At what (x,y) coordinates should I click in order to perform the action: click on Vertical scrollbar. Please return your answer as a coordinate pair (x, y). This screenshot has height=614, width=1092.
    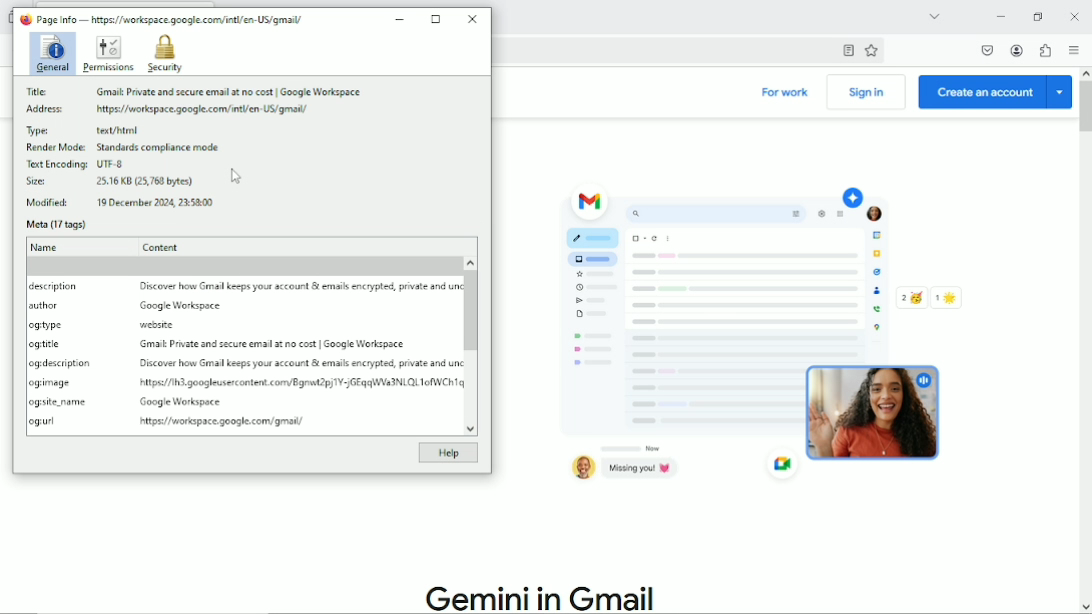
    Looking at the image, I should click on (1085, 109).